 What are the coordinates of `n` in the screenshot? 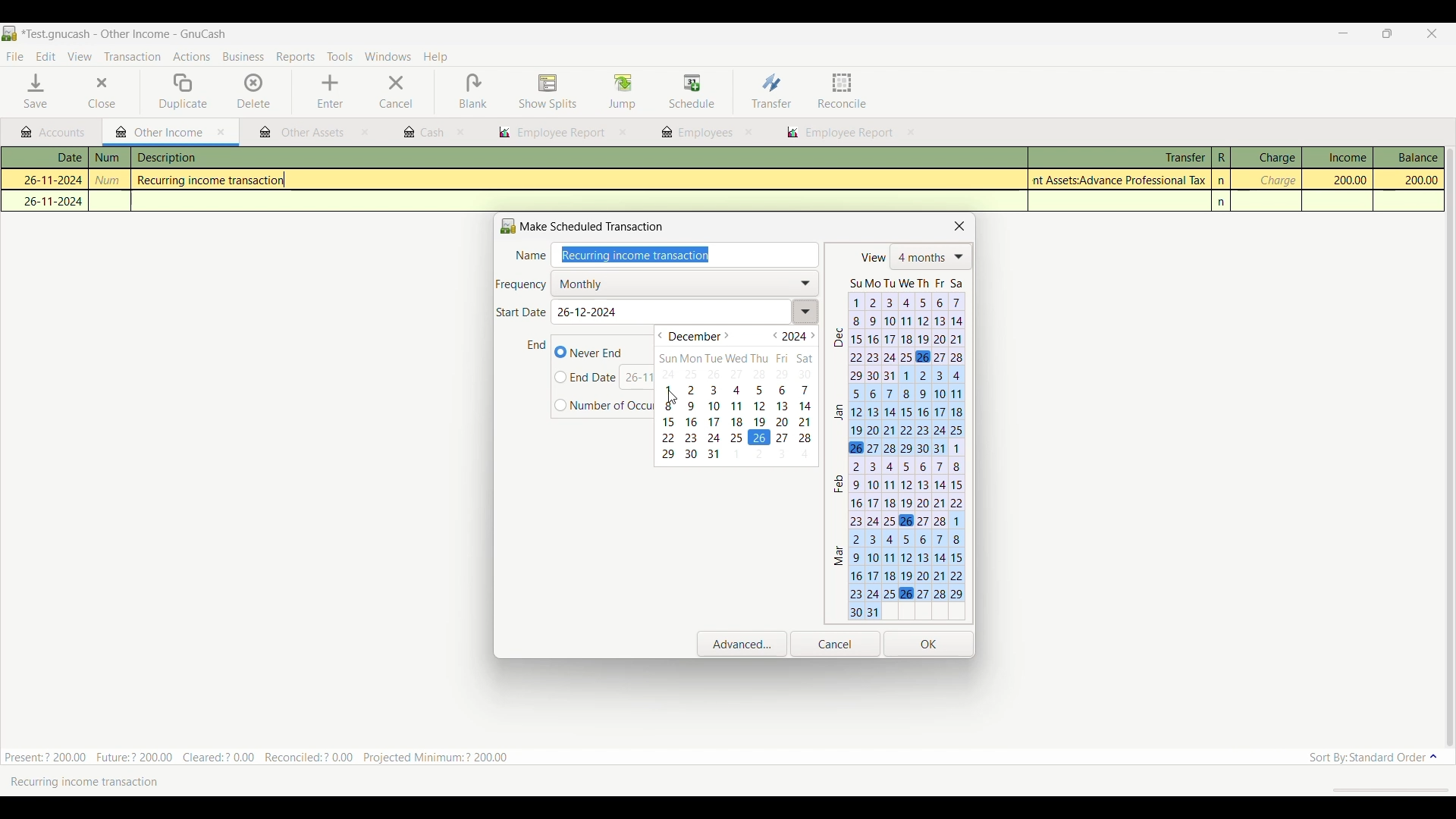 It's located at (1222, 180).